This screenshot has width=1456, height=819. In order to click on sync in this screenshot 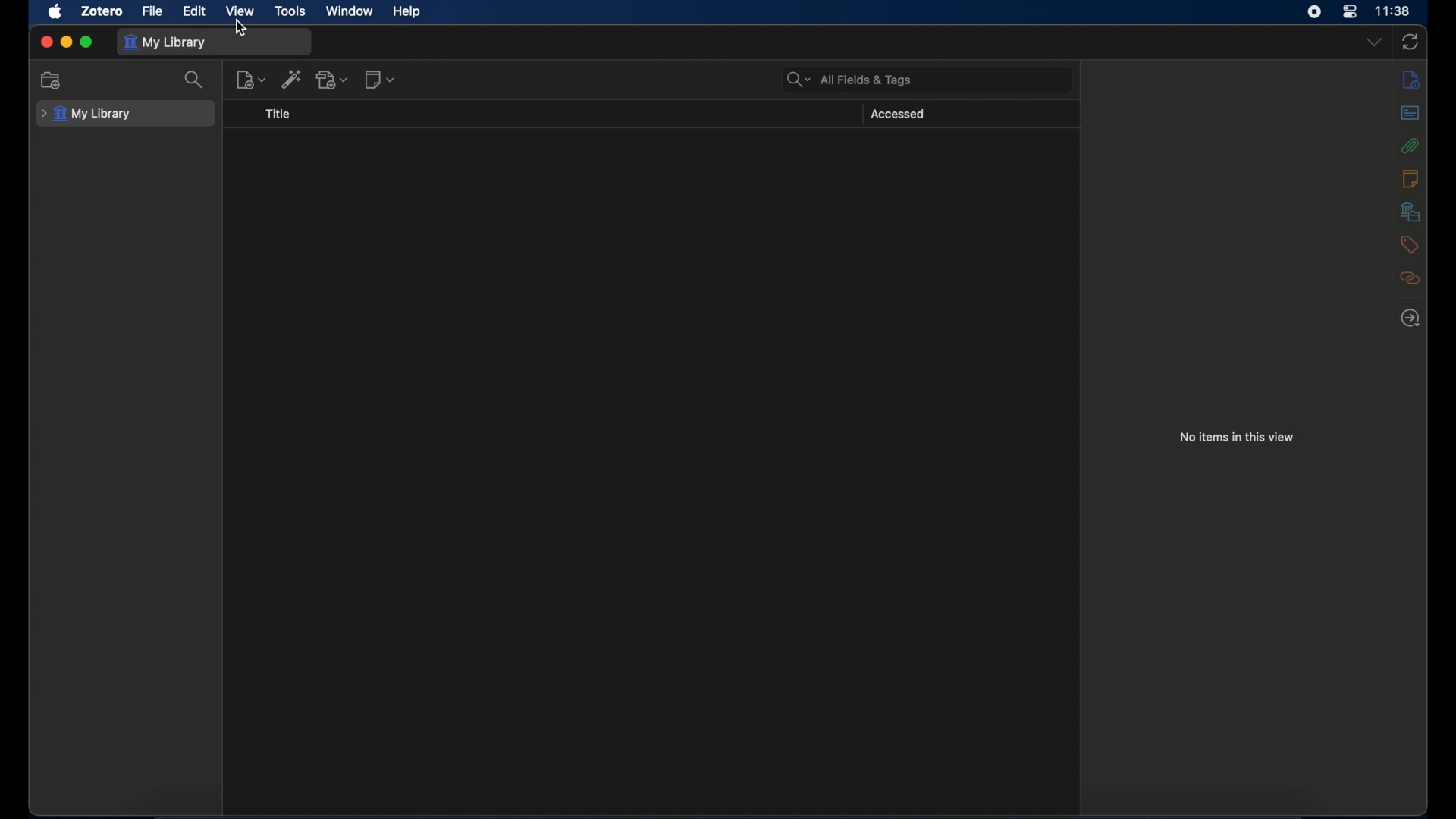, I will do `click(1410, 43)`.